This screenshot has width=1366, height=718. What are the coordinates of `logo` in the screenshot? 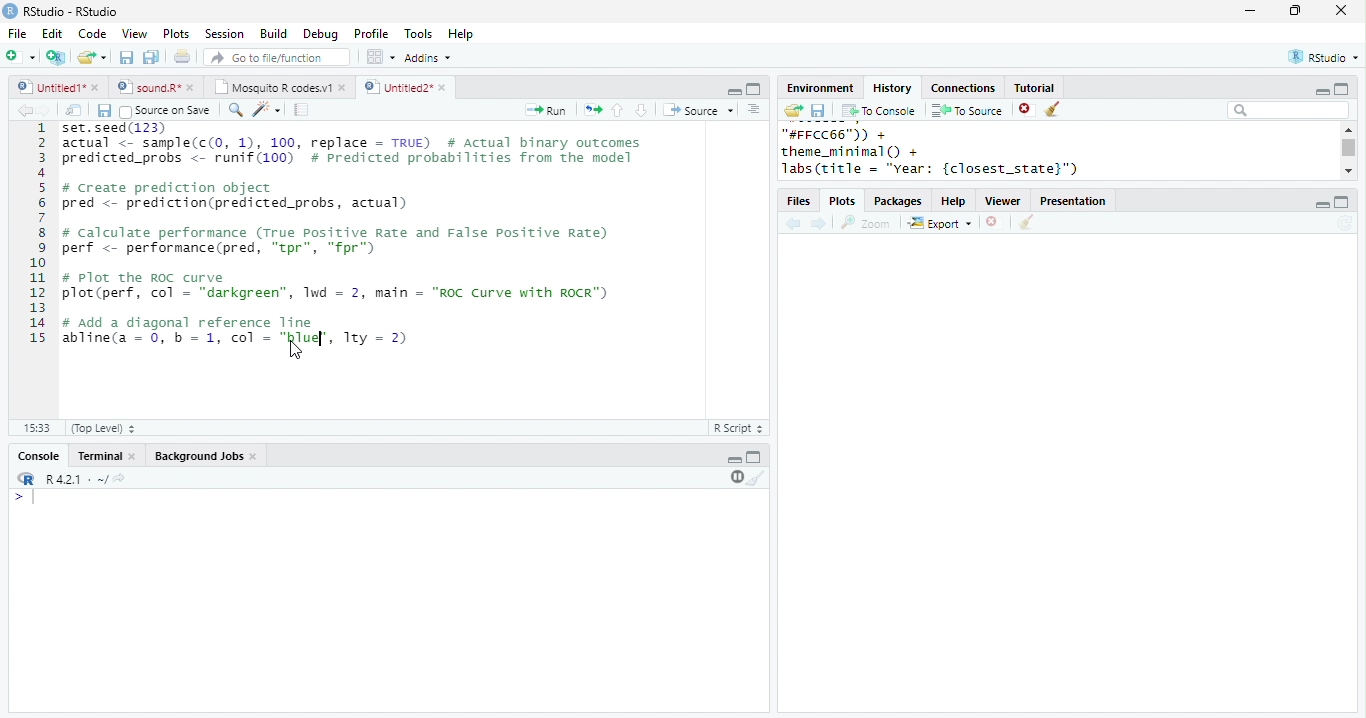 It's located at (10, 10).